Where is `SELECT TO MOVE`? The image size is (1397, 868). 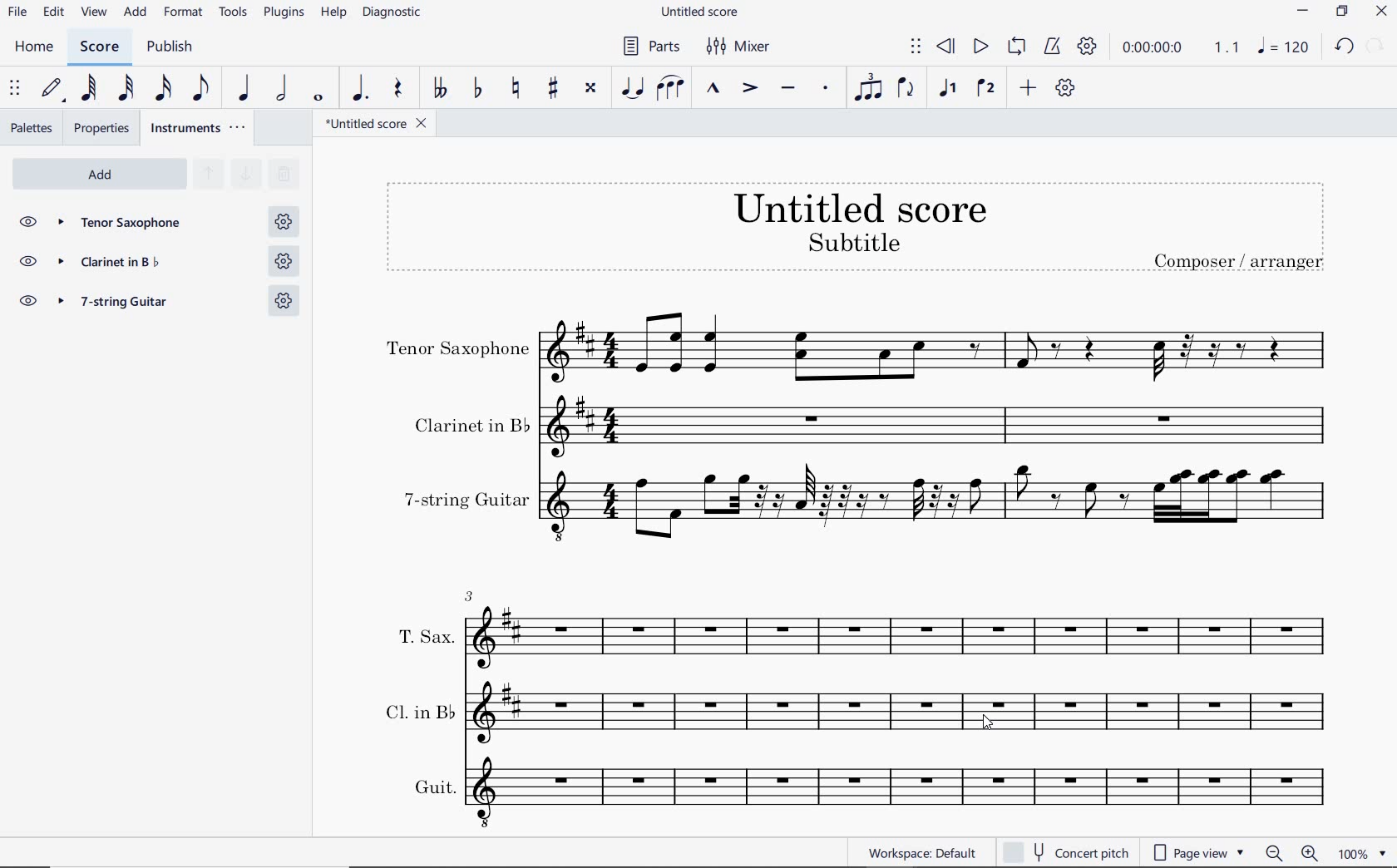
SELECT TO MOVE is located at coordinates (916, 49).